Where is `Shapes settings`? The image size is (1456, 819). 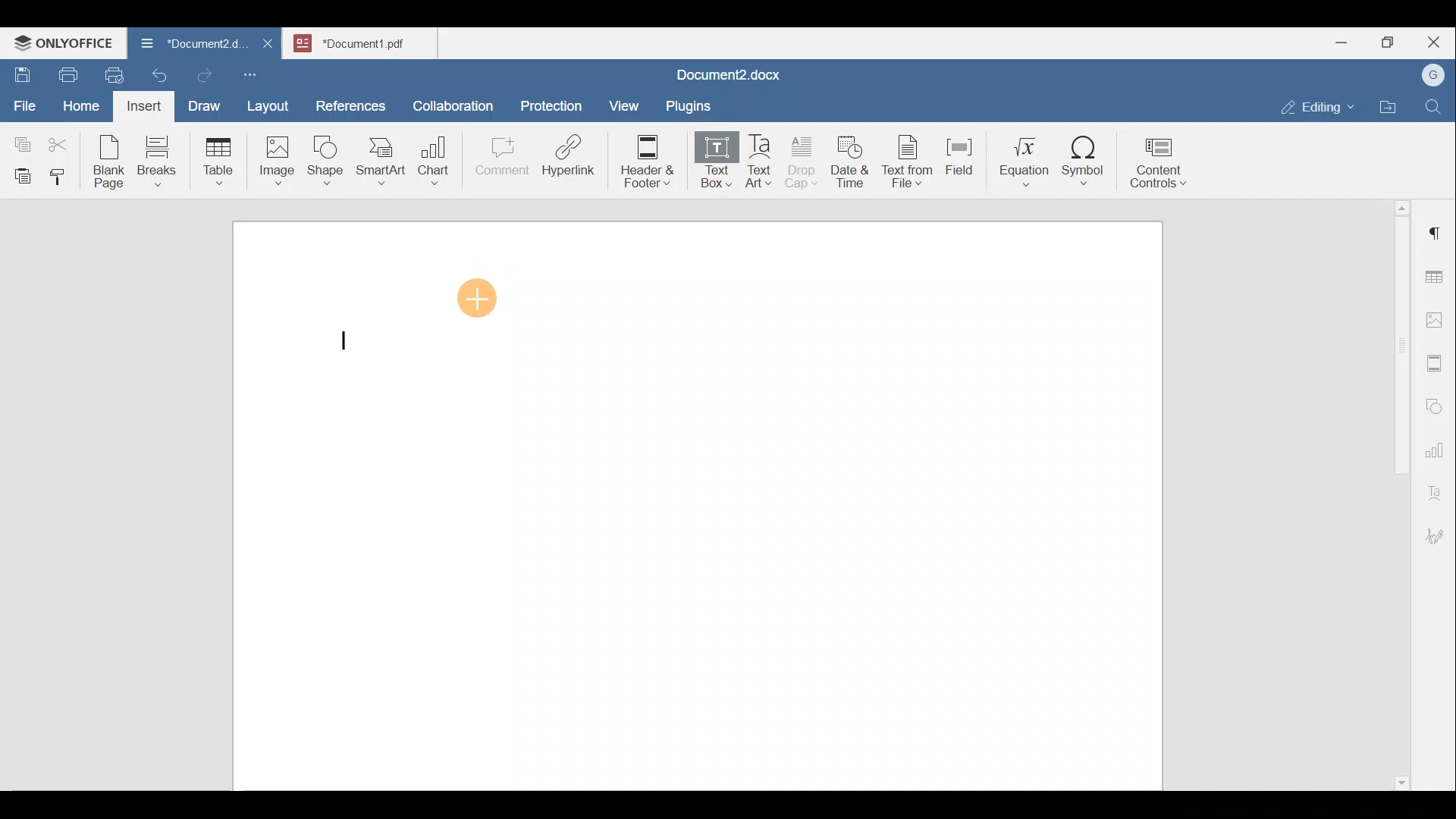 Shapes settings is located at coordinates (1437, 404).